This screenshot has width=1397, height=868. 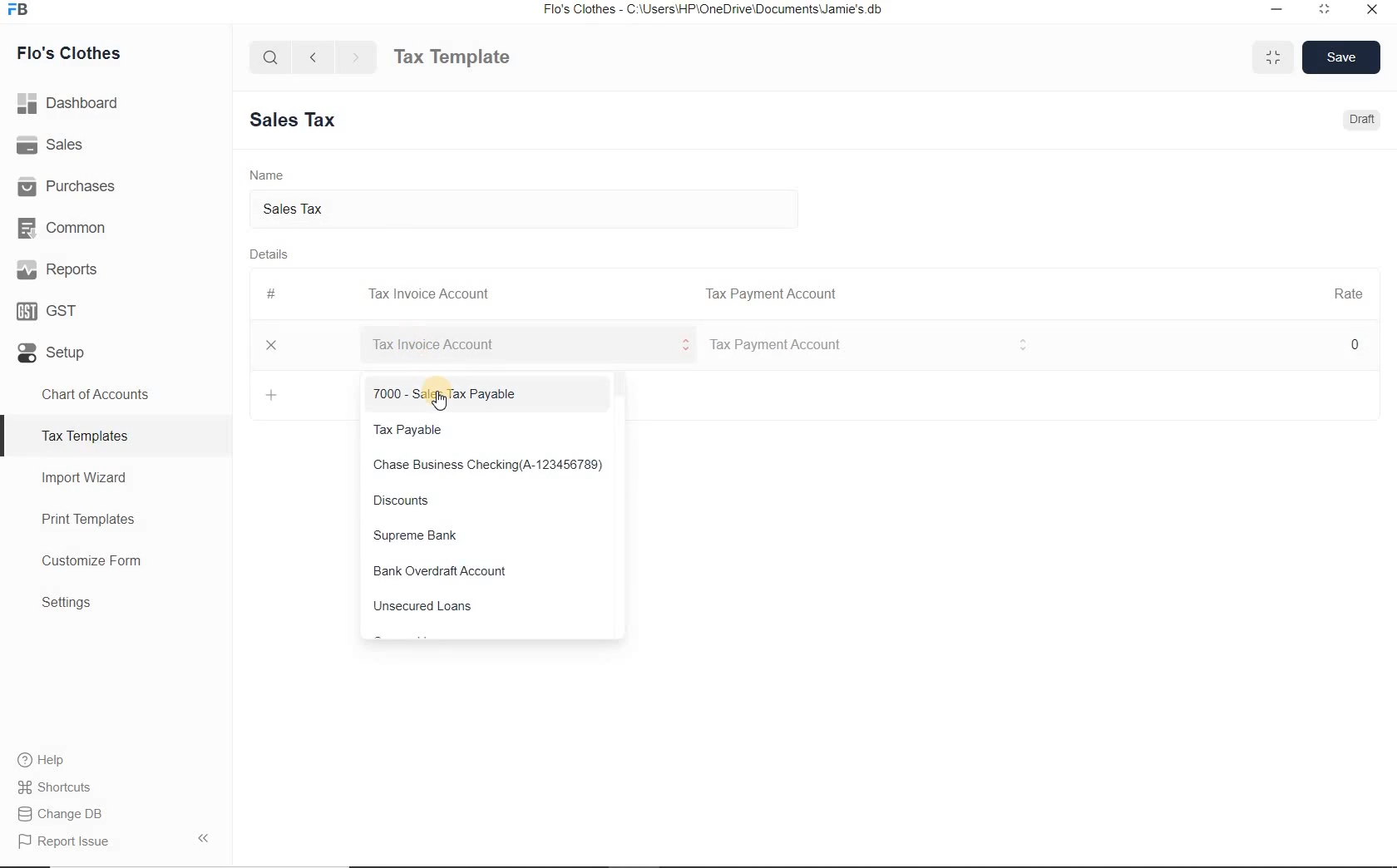 I want to click on Close, so click(x=272, y=345).